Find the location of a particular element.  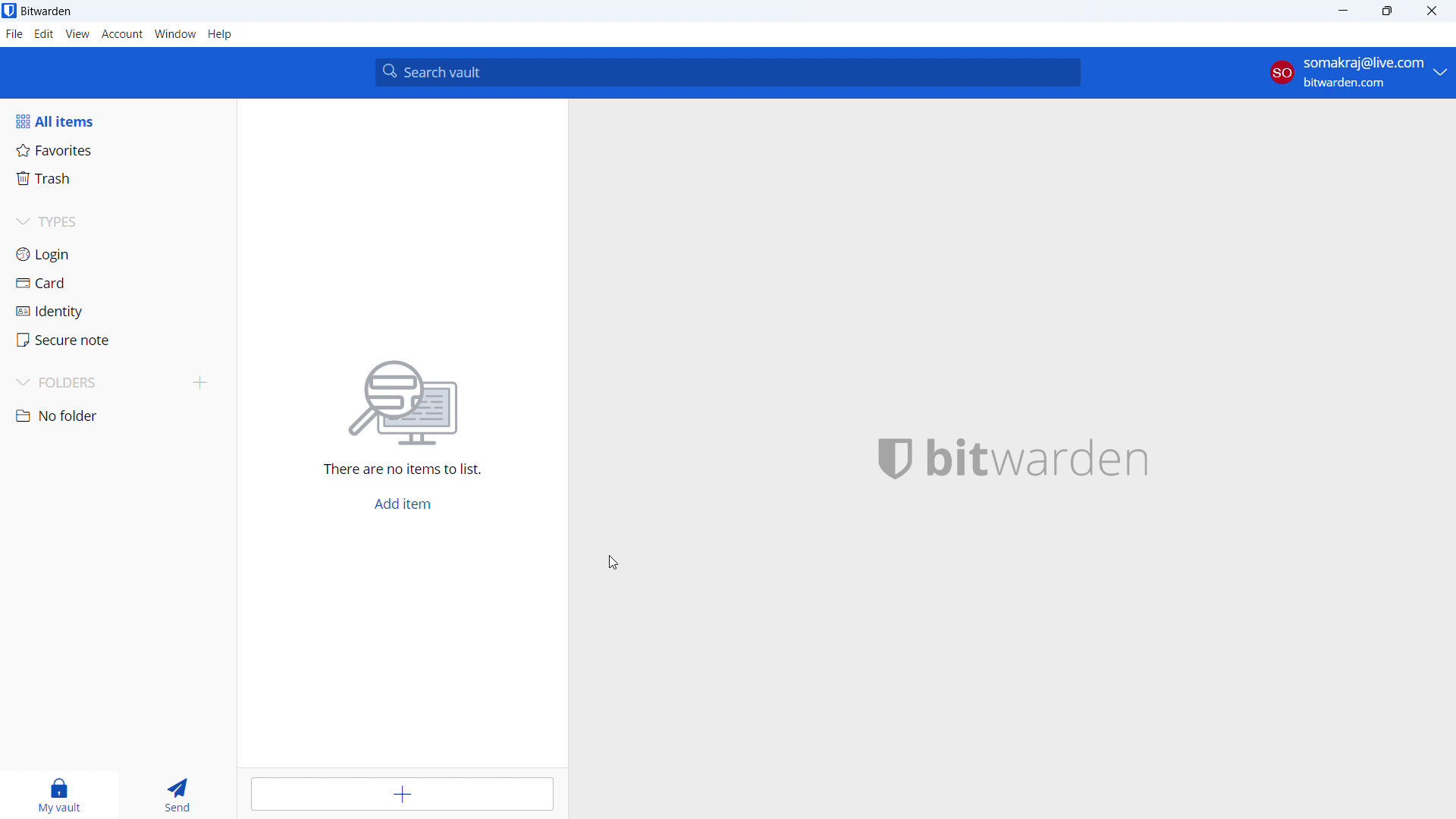

types is located at coordinates (116, 221).